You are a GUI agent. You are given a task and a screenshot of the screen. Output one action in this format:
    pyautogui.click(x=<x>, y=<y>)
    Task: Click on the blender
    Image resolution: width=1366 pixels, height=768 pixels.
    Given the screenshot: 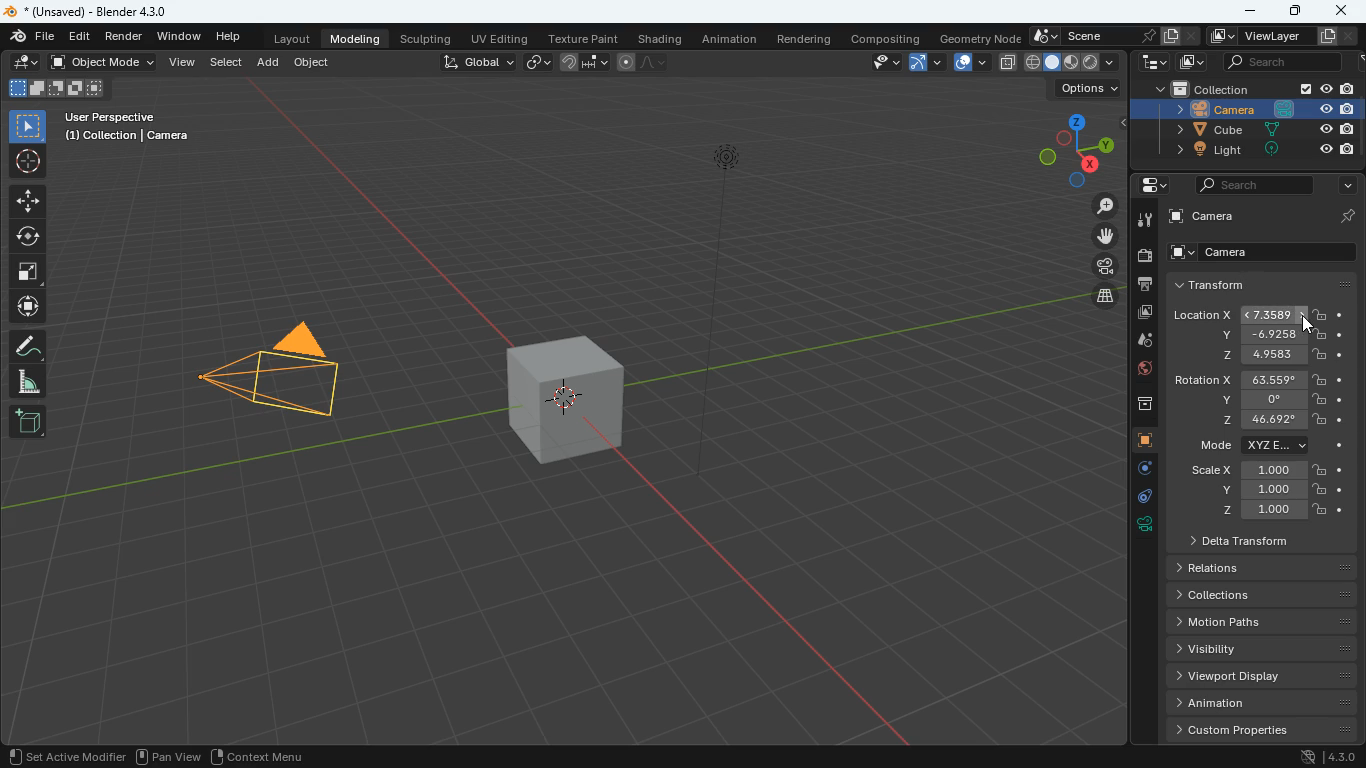 What is the action you would take?
    pyautogui.click(x=97, y=13)
    